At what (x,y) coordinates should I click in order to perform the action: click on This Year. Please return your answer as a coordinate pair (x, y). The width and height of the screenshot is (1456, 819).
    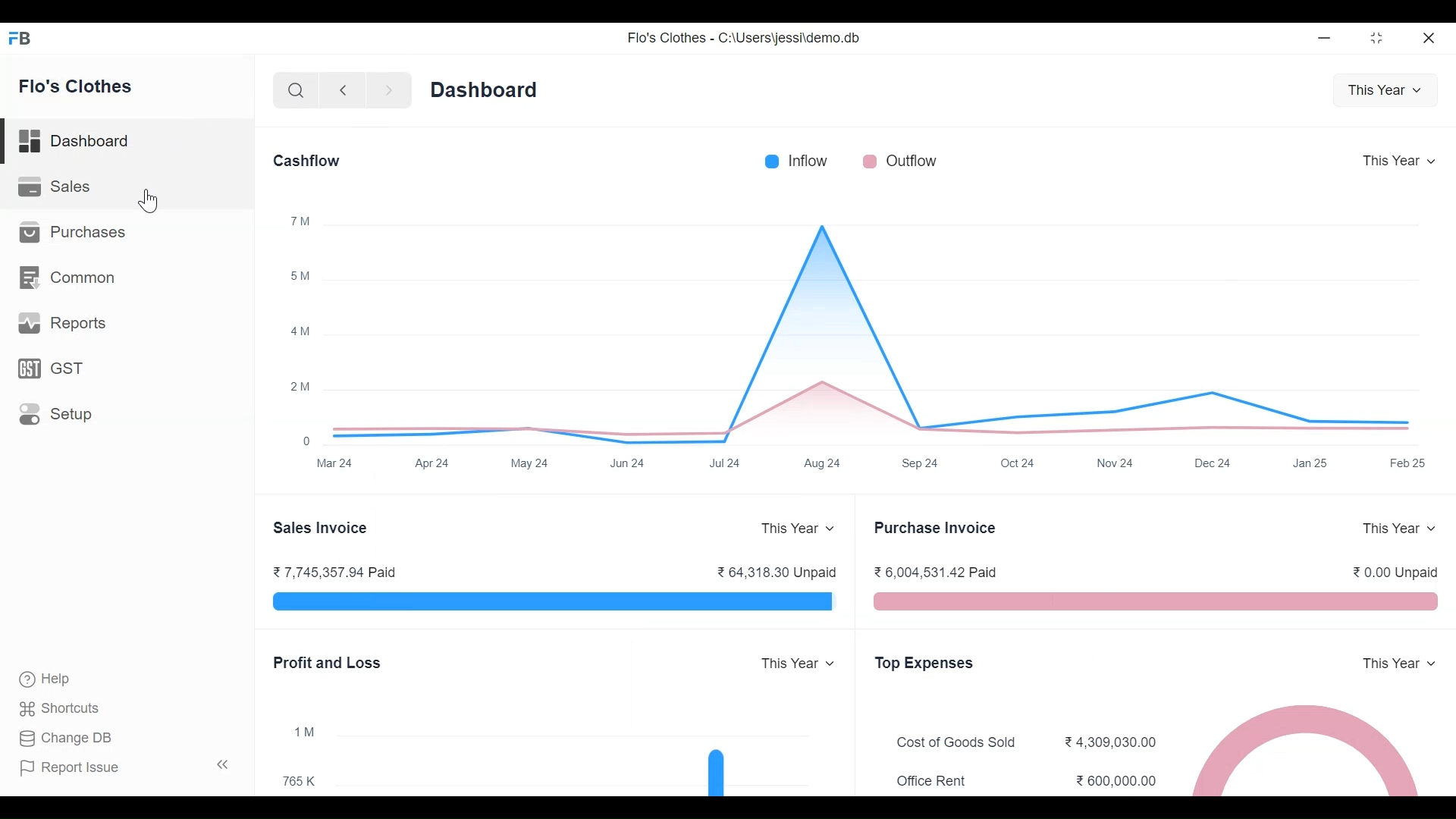
    Looking at the image, I should click on (1399, 530).